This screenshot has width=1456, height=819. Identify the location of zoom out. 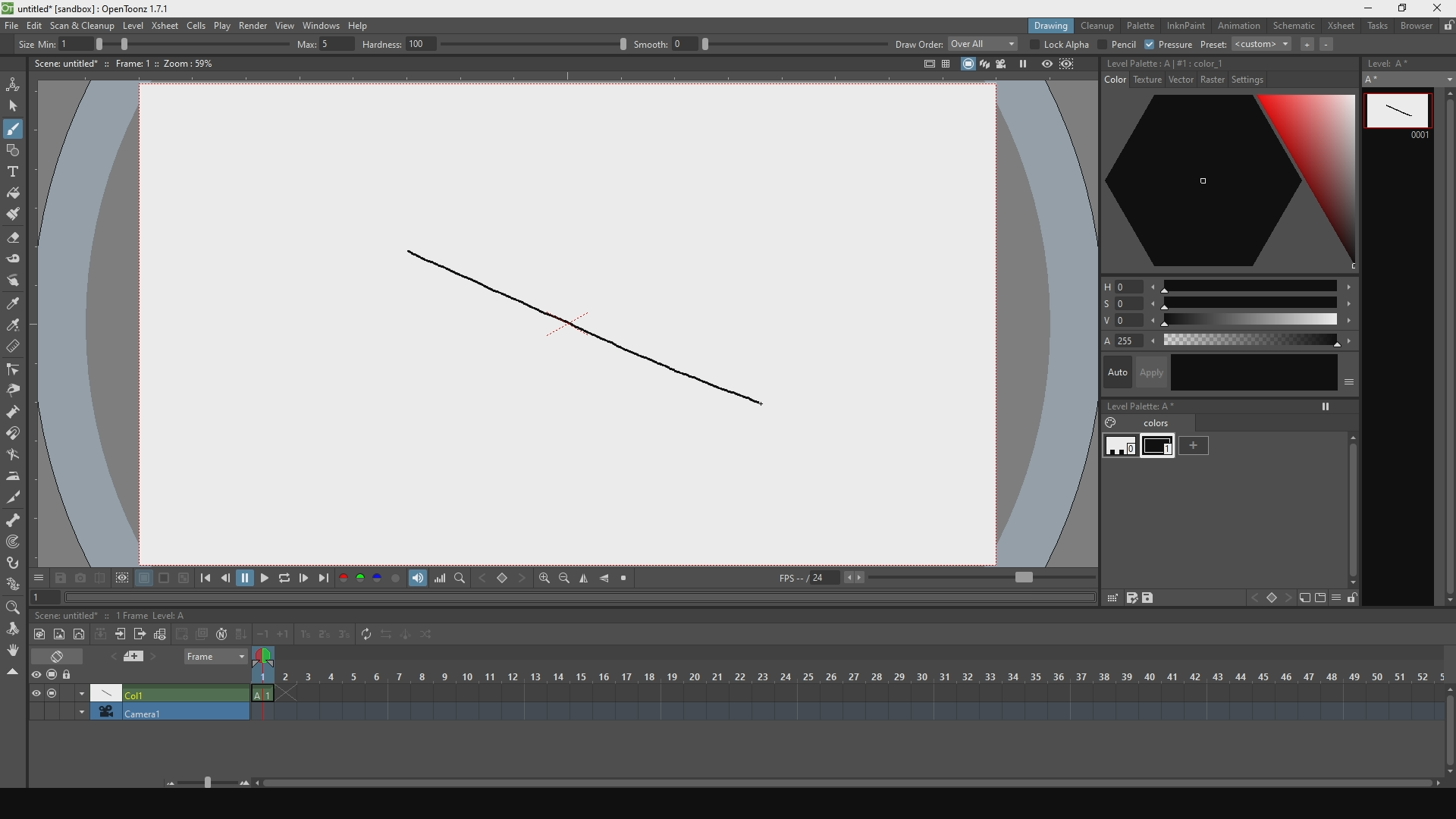
(565, 579).